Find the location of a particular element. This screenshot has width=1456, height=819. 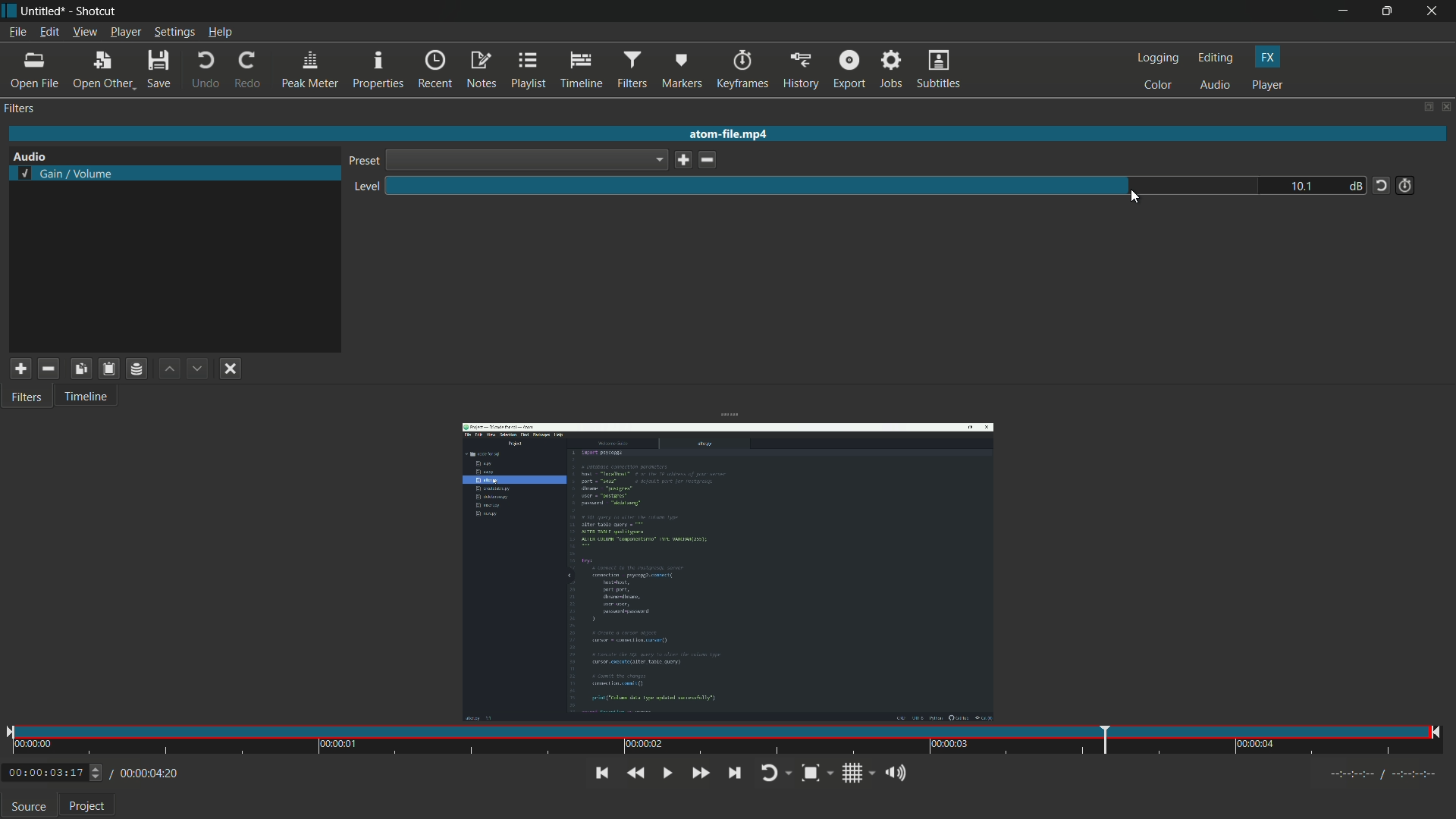

markers is located at coordinates (681, 71).